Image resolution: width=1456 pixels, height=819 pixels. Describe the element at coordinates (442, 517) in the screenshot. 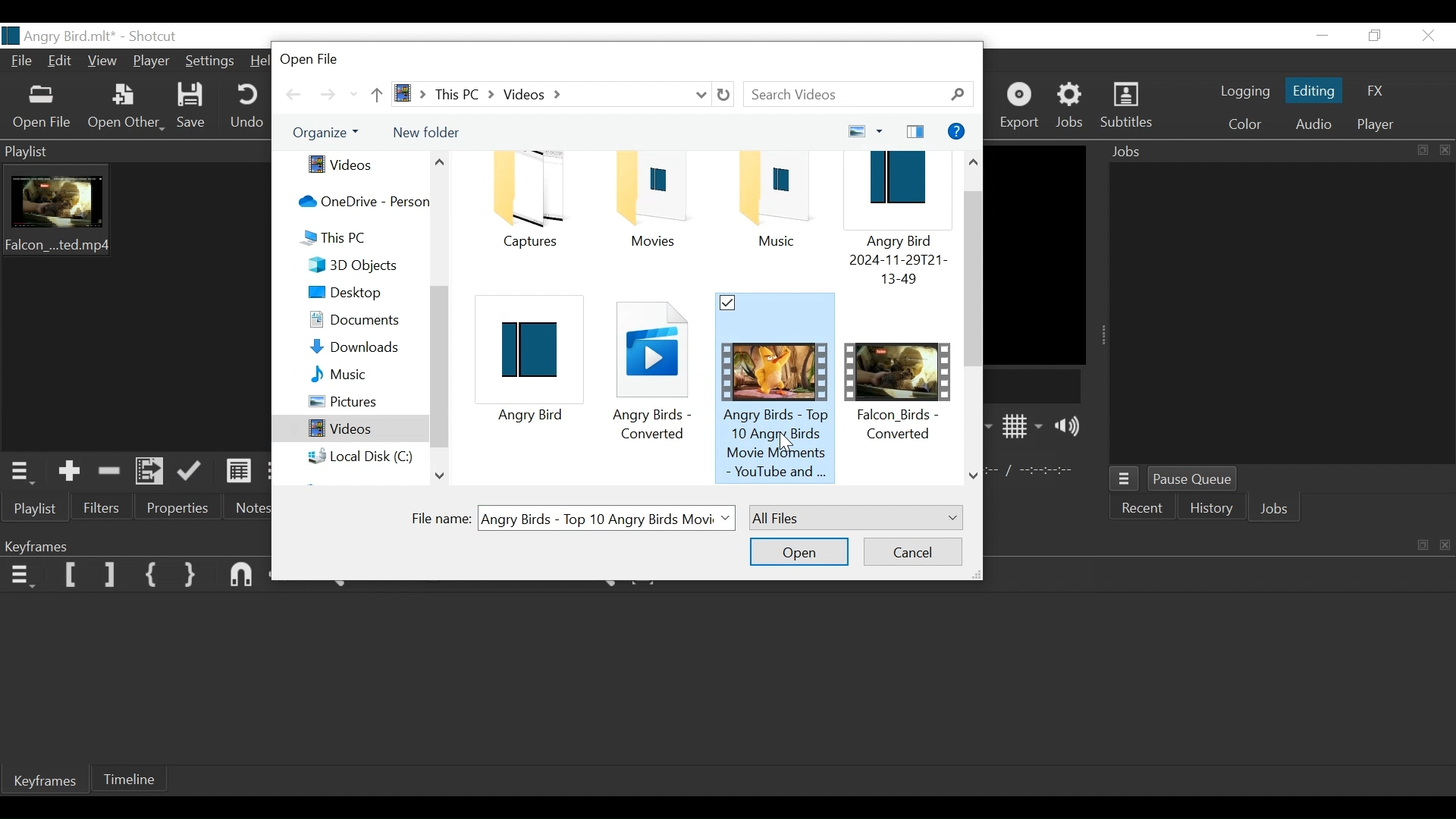

I see `File Name` at that location.